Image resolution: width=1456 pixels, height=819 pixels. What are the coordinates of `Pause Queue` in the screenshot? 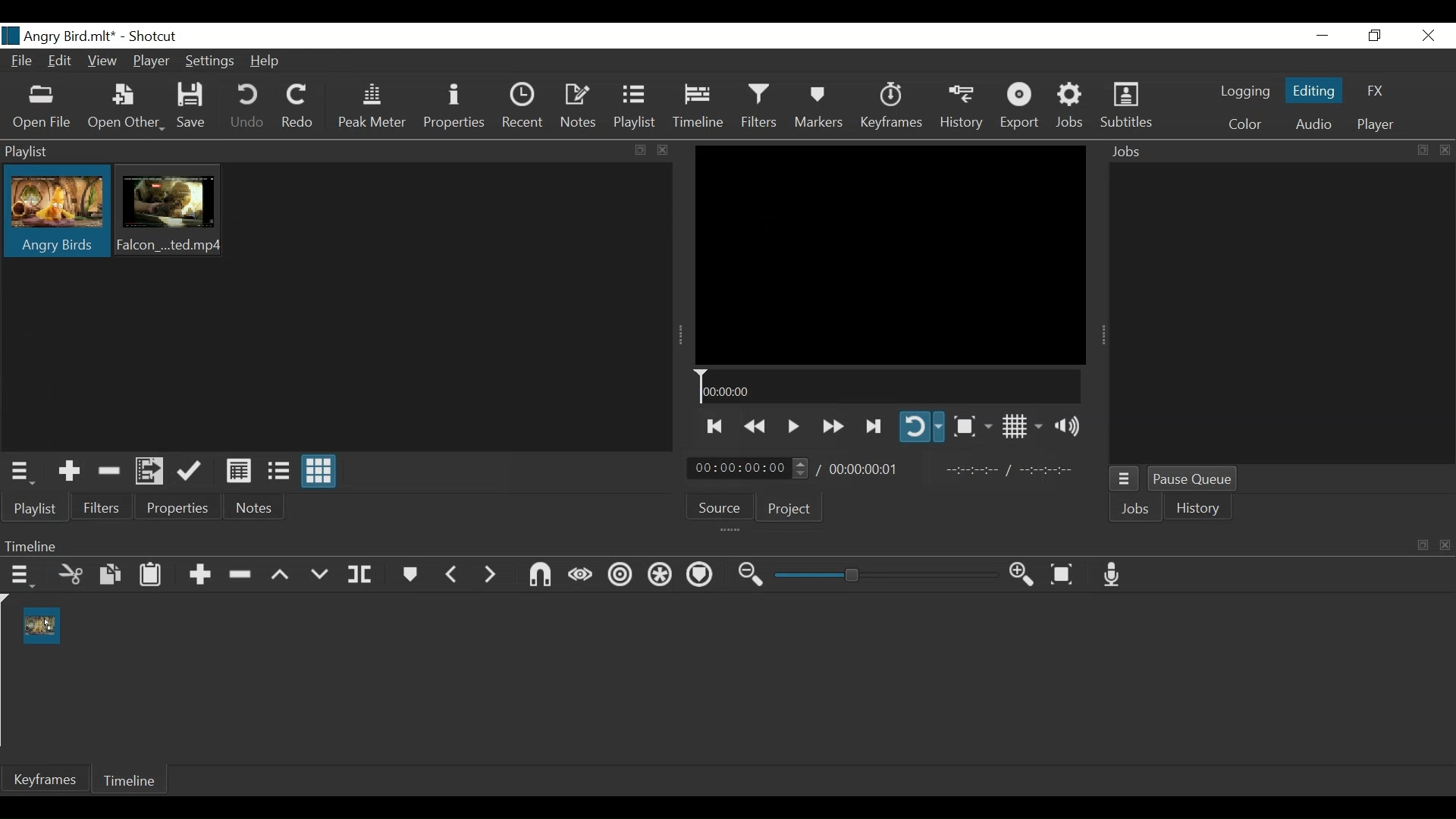 It's located at (1193, 479).